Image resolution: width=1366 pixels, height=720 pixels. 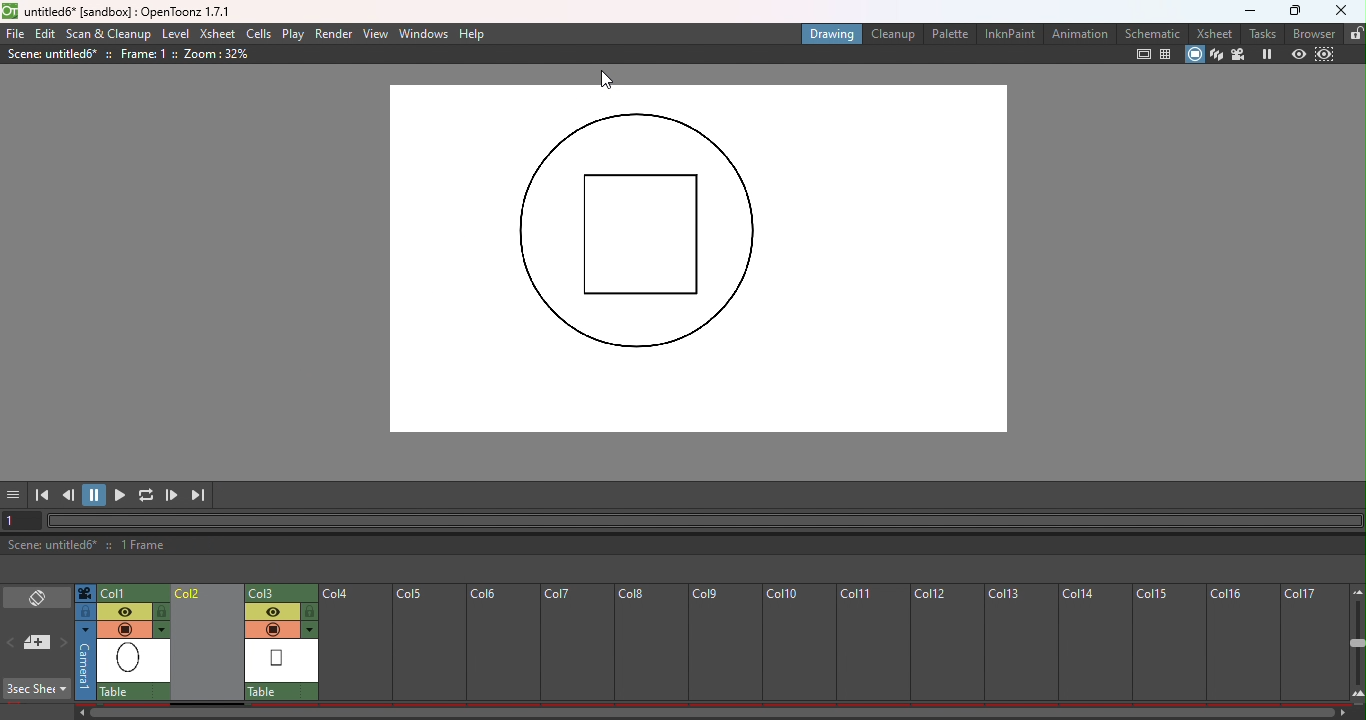 I want to click on Previous memo, so click(x=13, y=644).